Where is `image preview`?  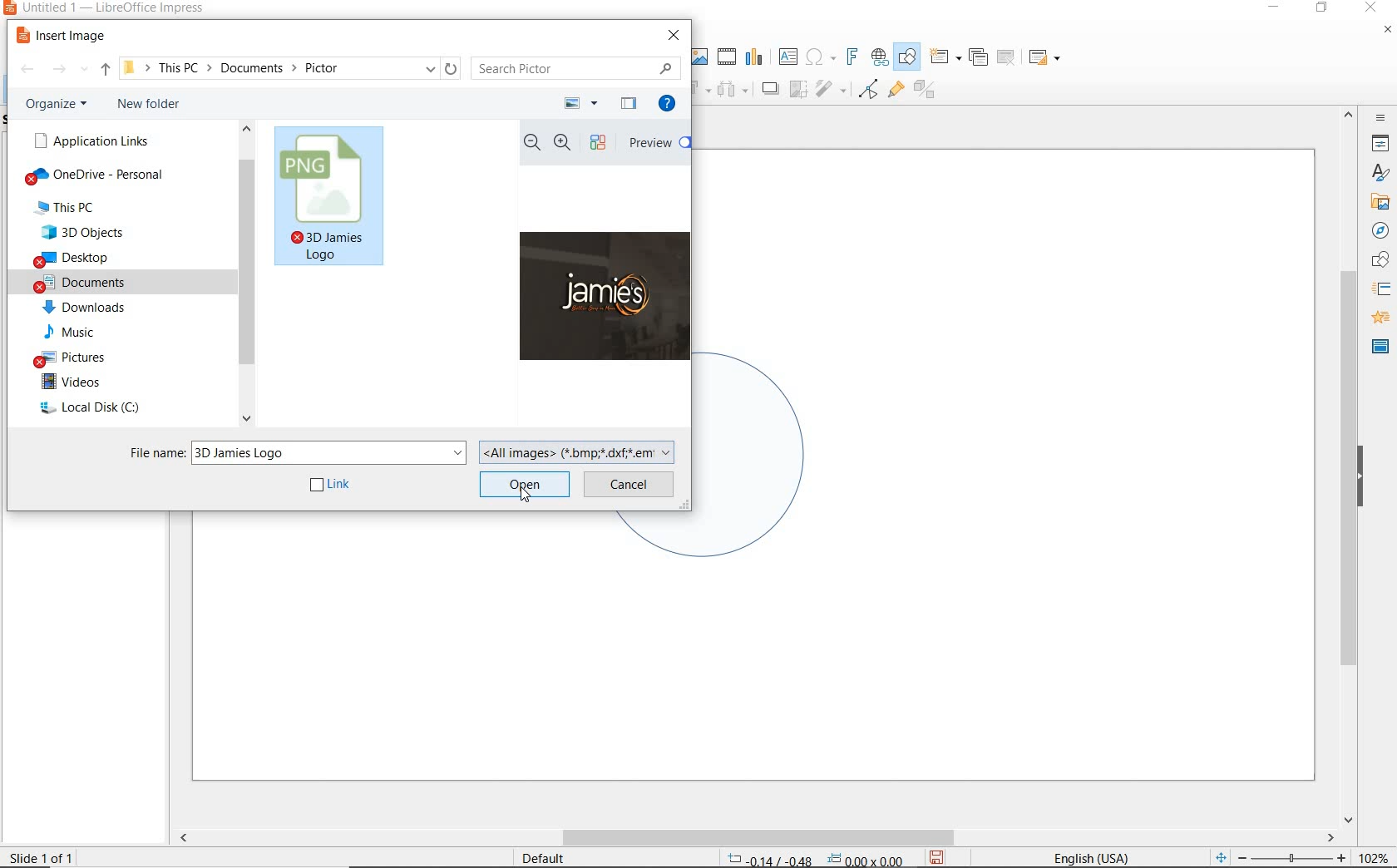 image preview is located at coordinates (603, 300).